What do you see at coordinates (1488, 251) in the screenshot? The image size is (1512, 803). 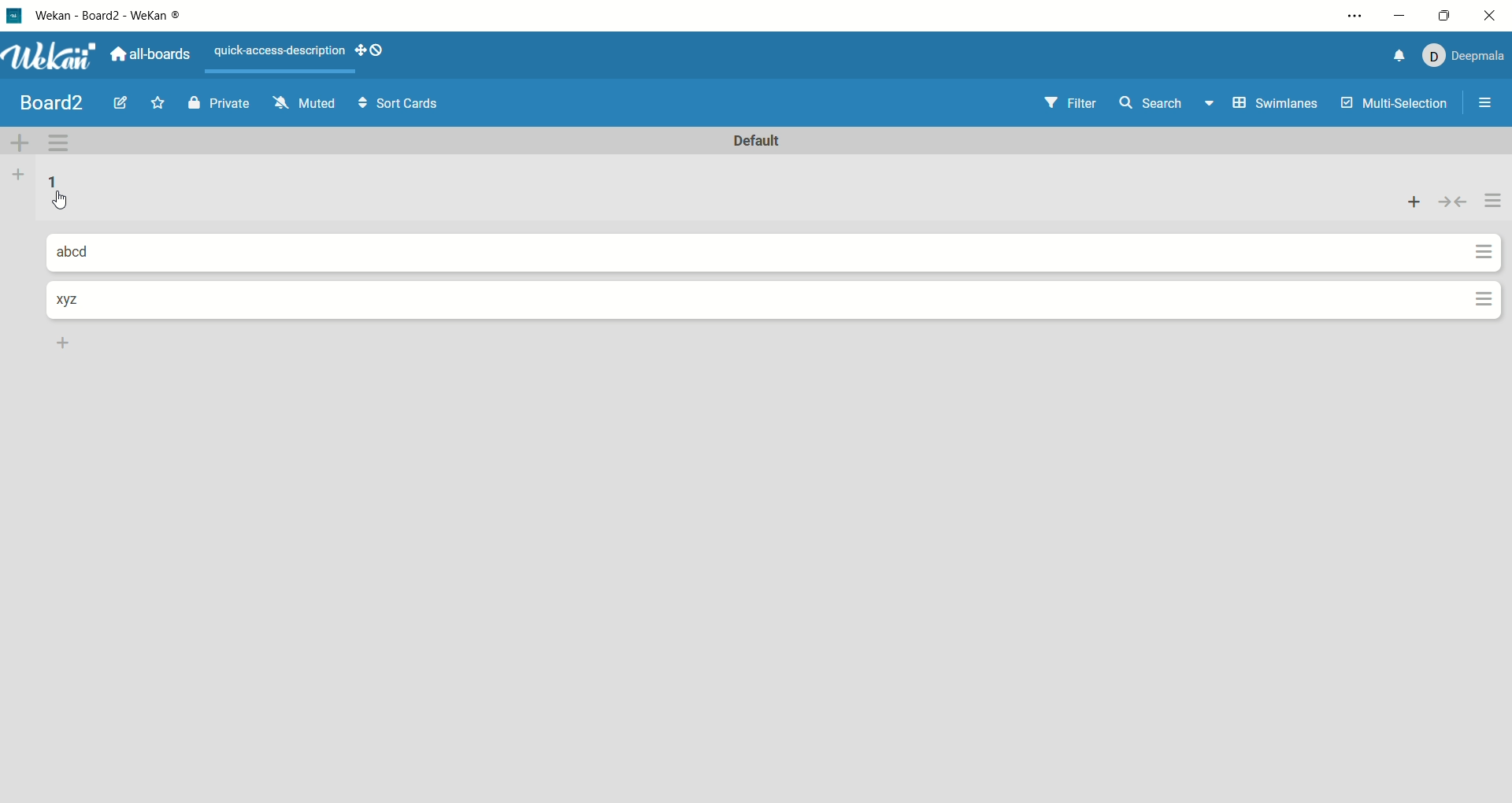 I see `actions` at bounding box center [1488, 251].